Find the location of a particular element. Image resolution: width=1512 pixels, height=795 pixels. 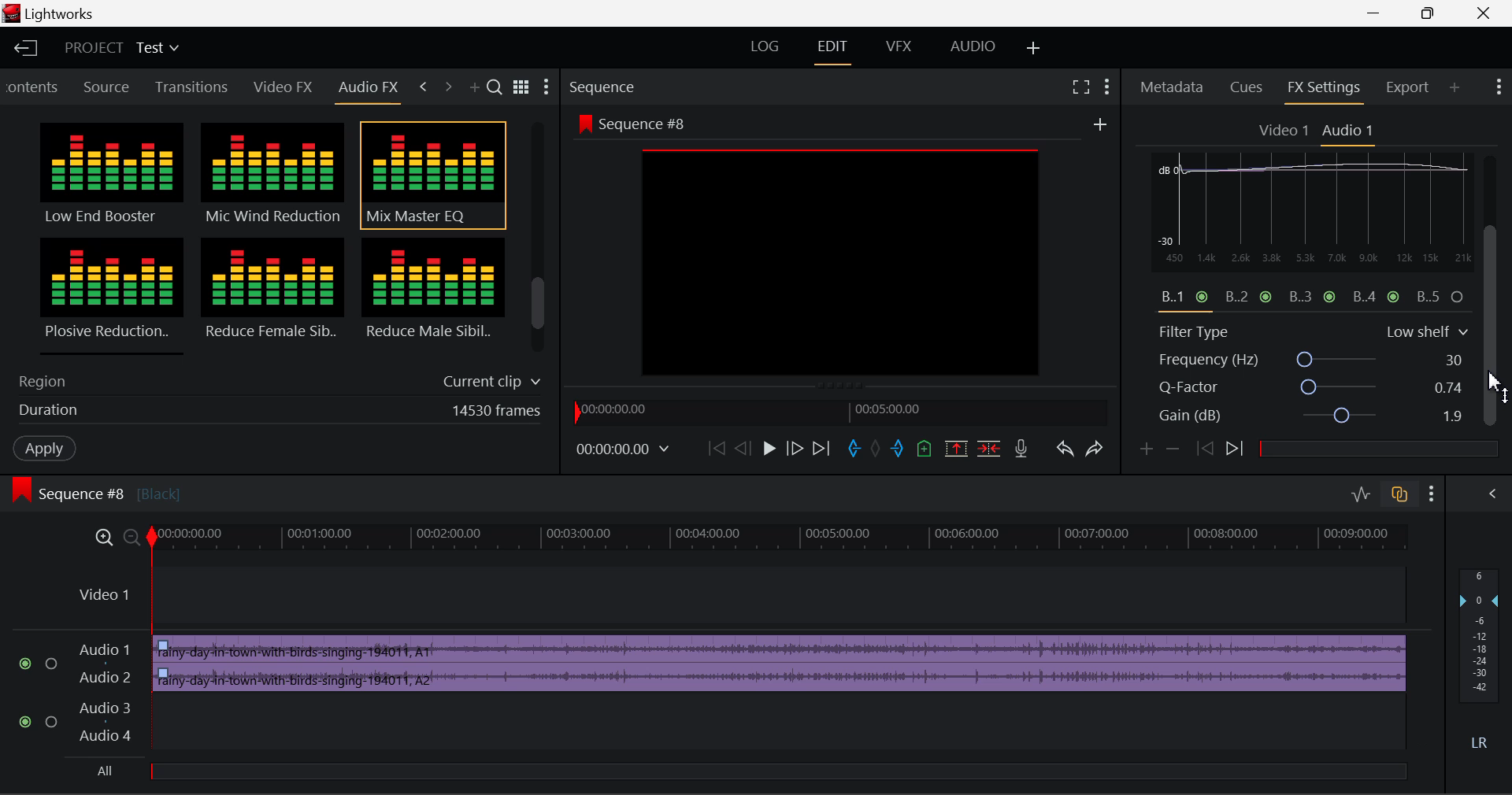

AUDIO Layout is located at coordinates (972, 48).